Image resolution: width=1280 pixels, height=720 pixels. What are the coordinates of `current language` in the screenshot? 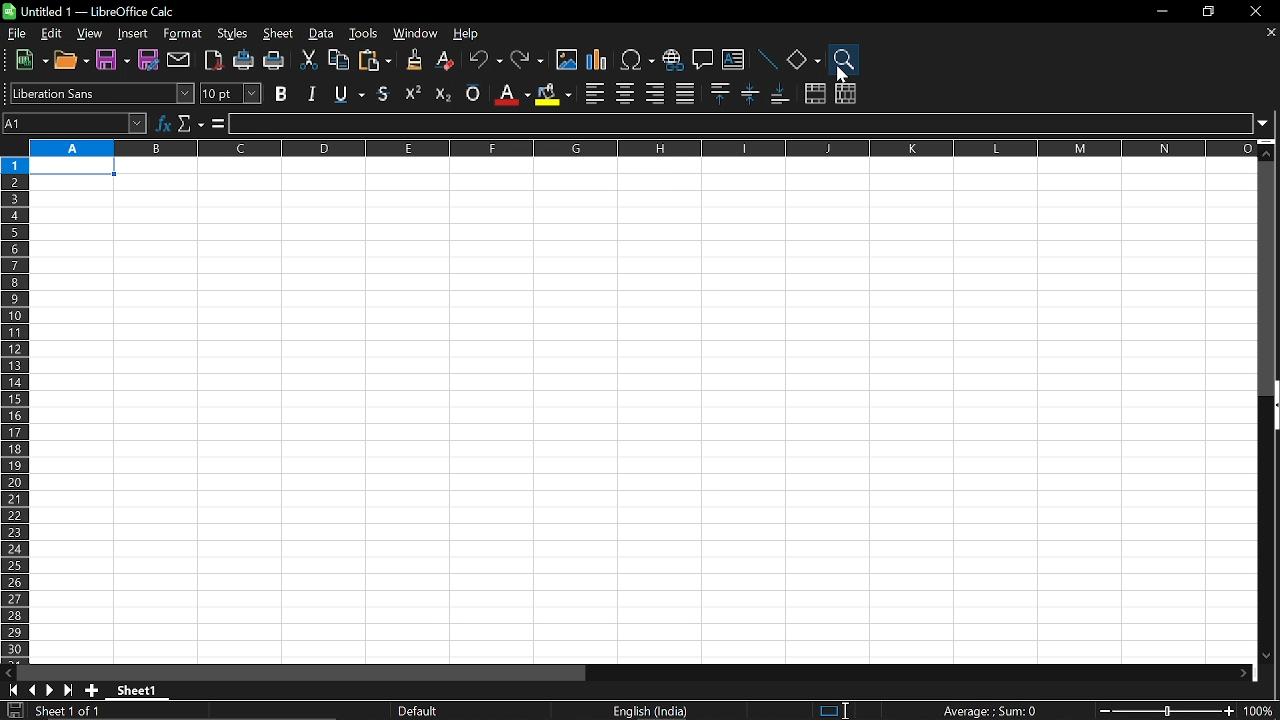 It's located at (652, 711).